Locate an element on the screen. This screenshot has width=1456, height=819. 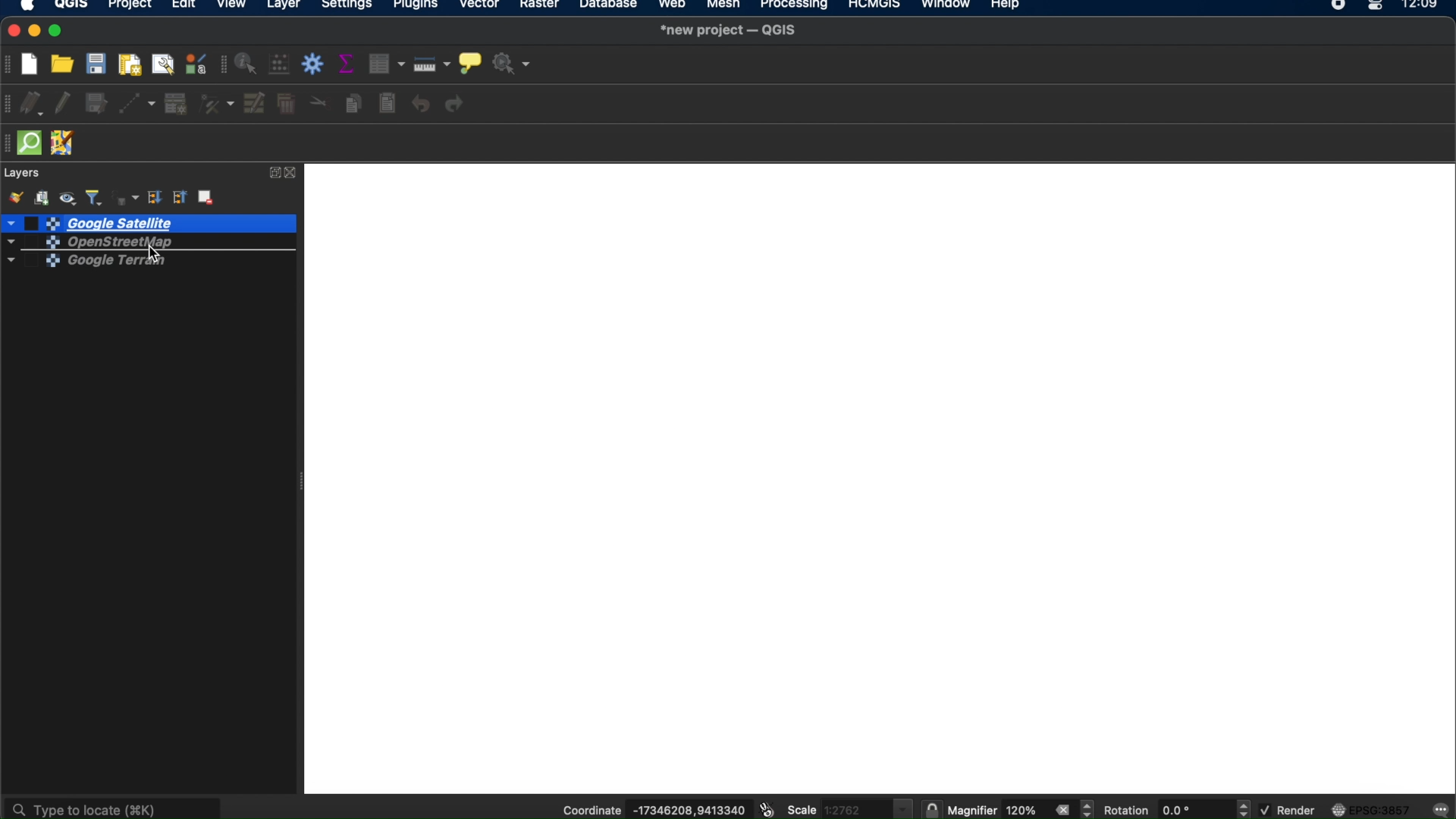
type to locate is located at coordinates (115, 806).